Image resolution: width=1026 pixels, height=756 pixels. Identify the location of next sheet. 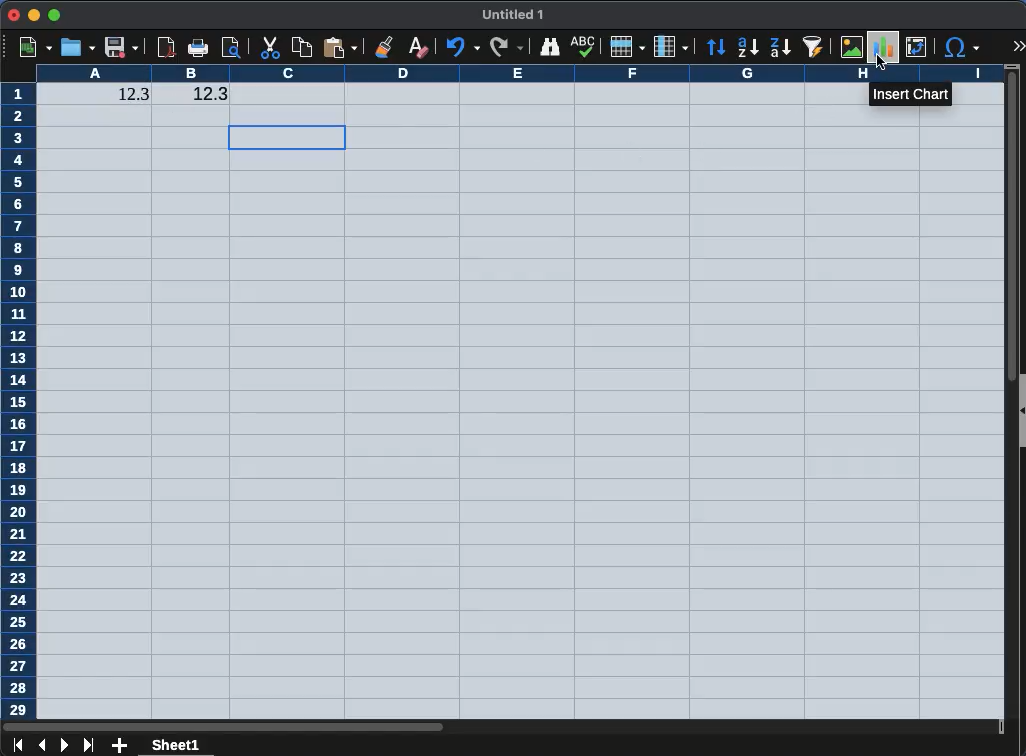
(63, 745).